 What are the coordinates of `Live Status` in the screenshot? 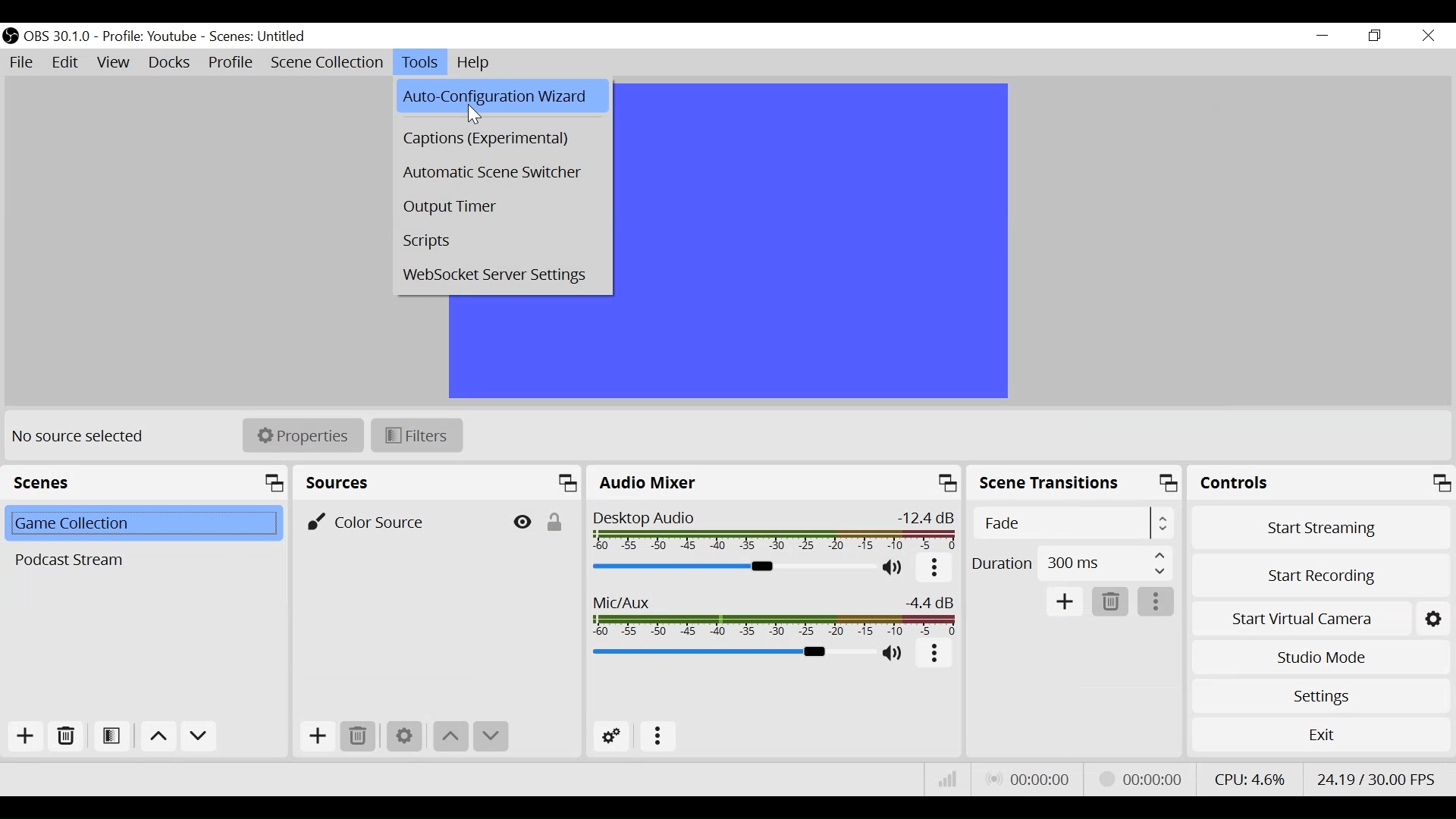 It's located at (1030, 779).